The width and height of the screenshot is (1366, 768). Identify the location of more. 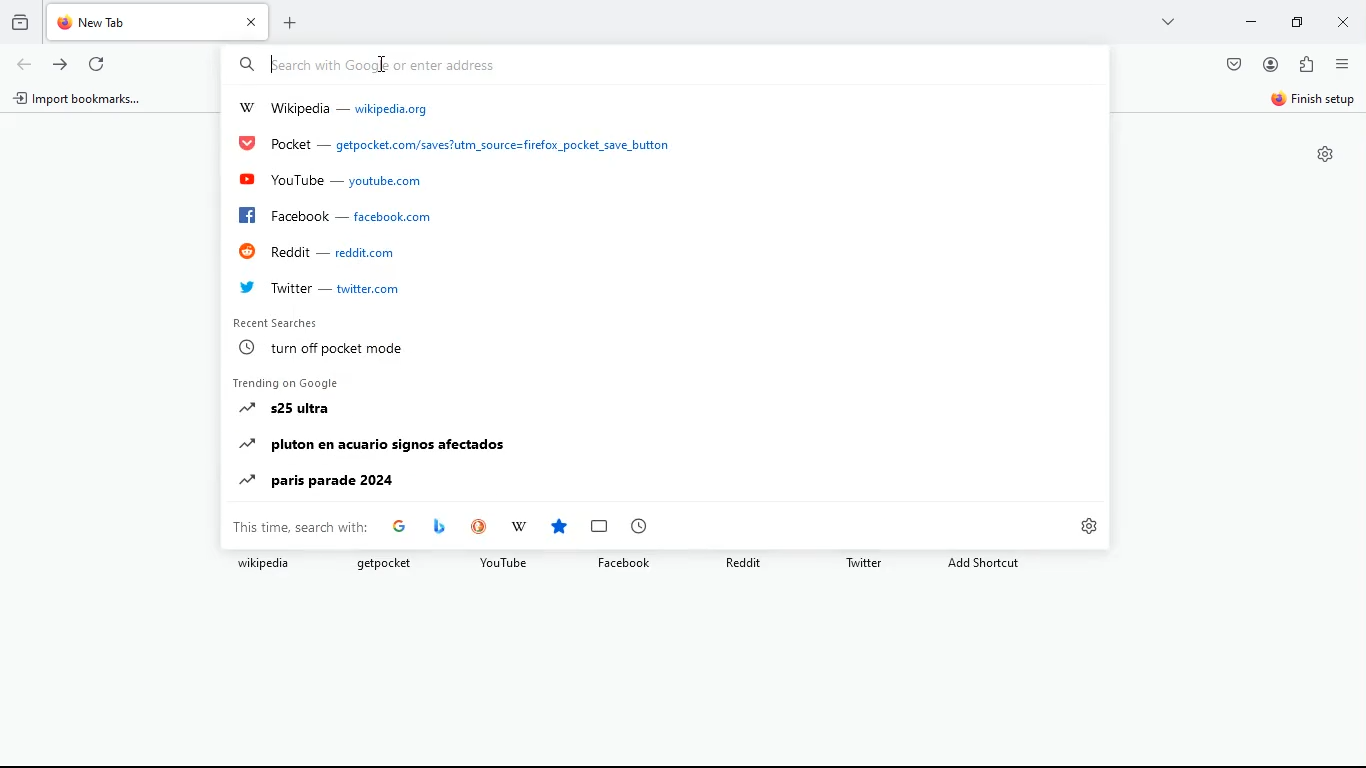
(1165, 21).